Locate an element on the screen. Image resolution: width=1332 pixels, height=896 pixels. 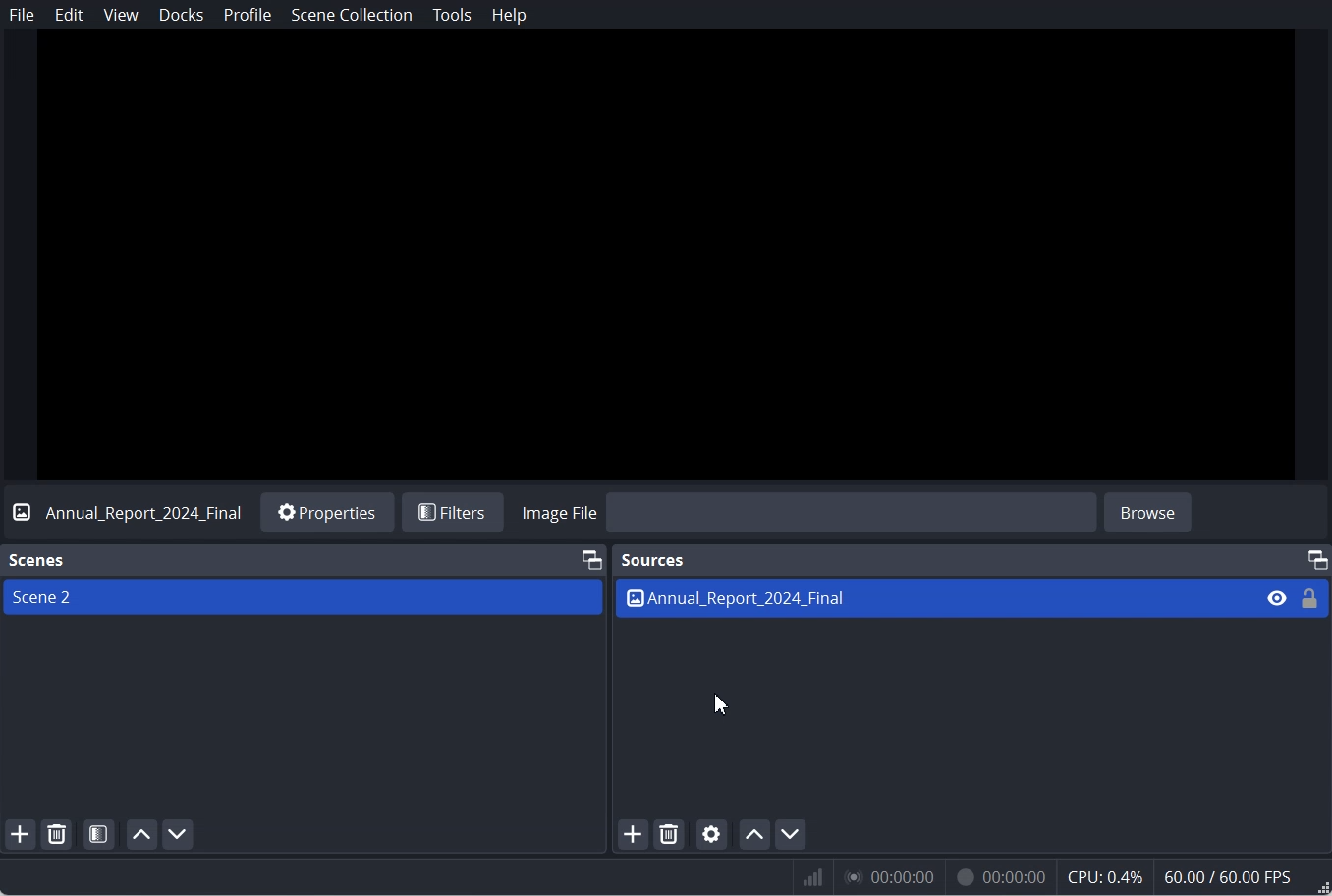
Remove selected Source is located at coordinates (670, 833).